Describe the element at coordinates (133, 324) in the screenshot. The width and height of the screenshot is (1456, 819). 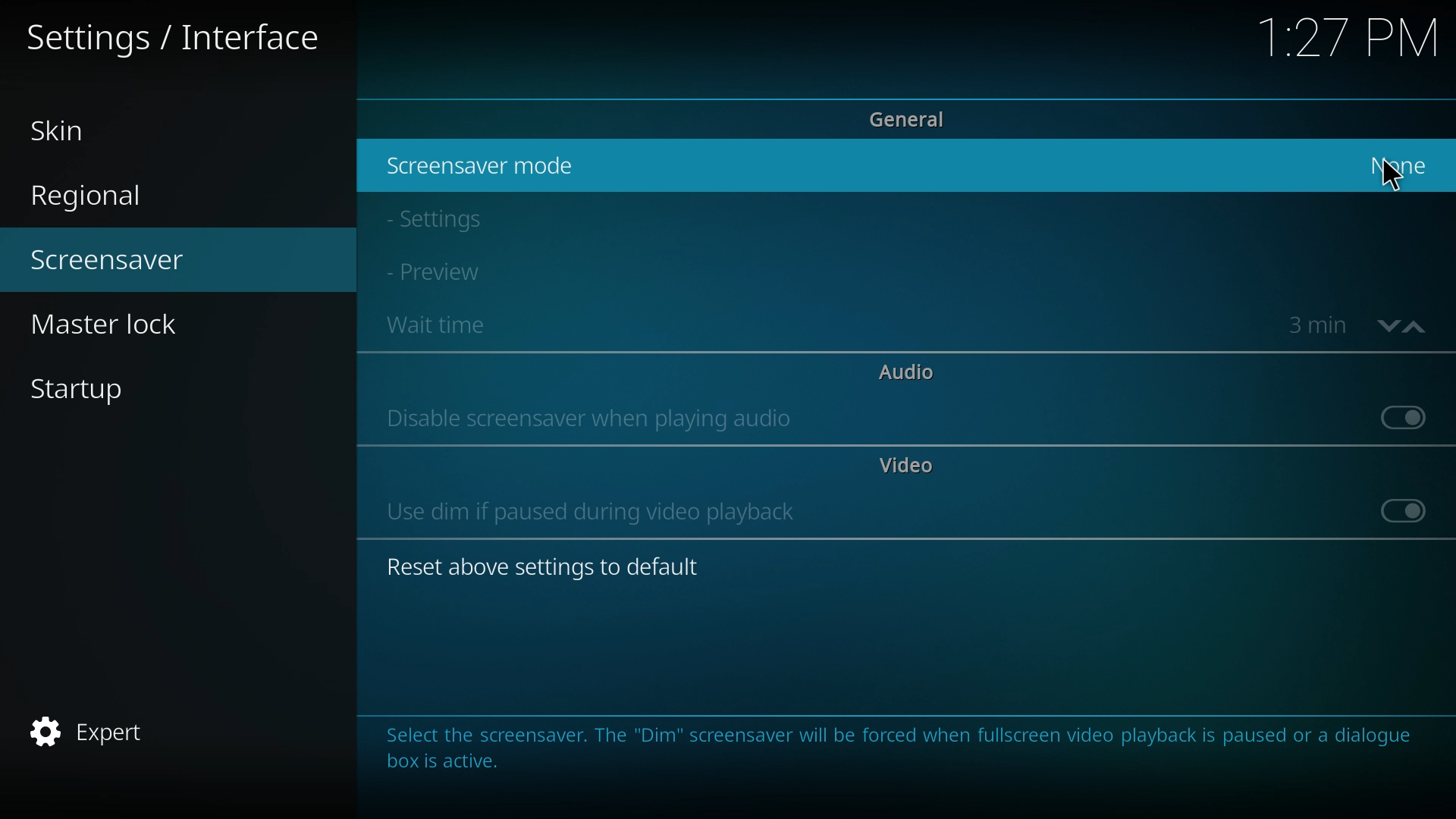
I see `master lock` at that location.